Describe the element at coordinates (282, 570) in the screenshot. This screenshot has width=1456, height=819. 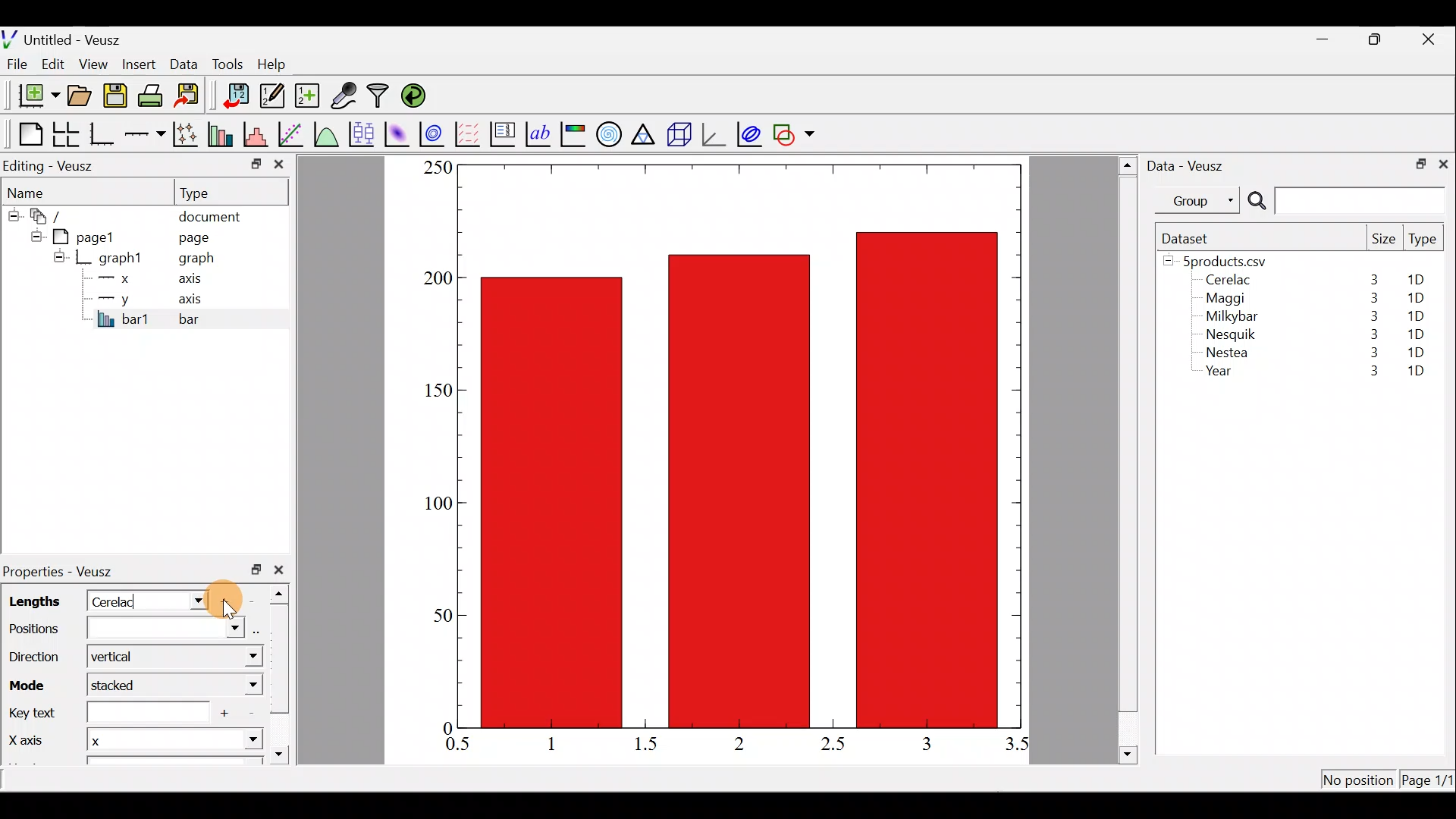
I see `close` at that location.